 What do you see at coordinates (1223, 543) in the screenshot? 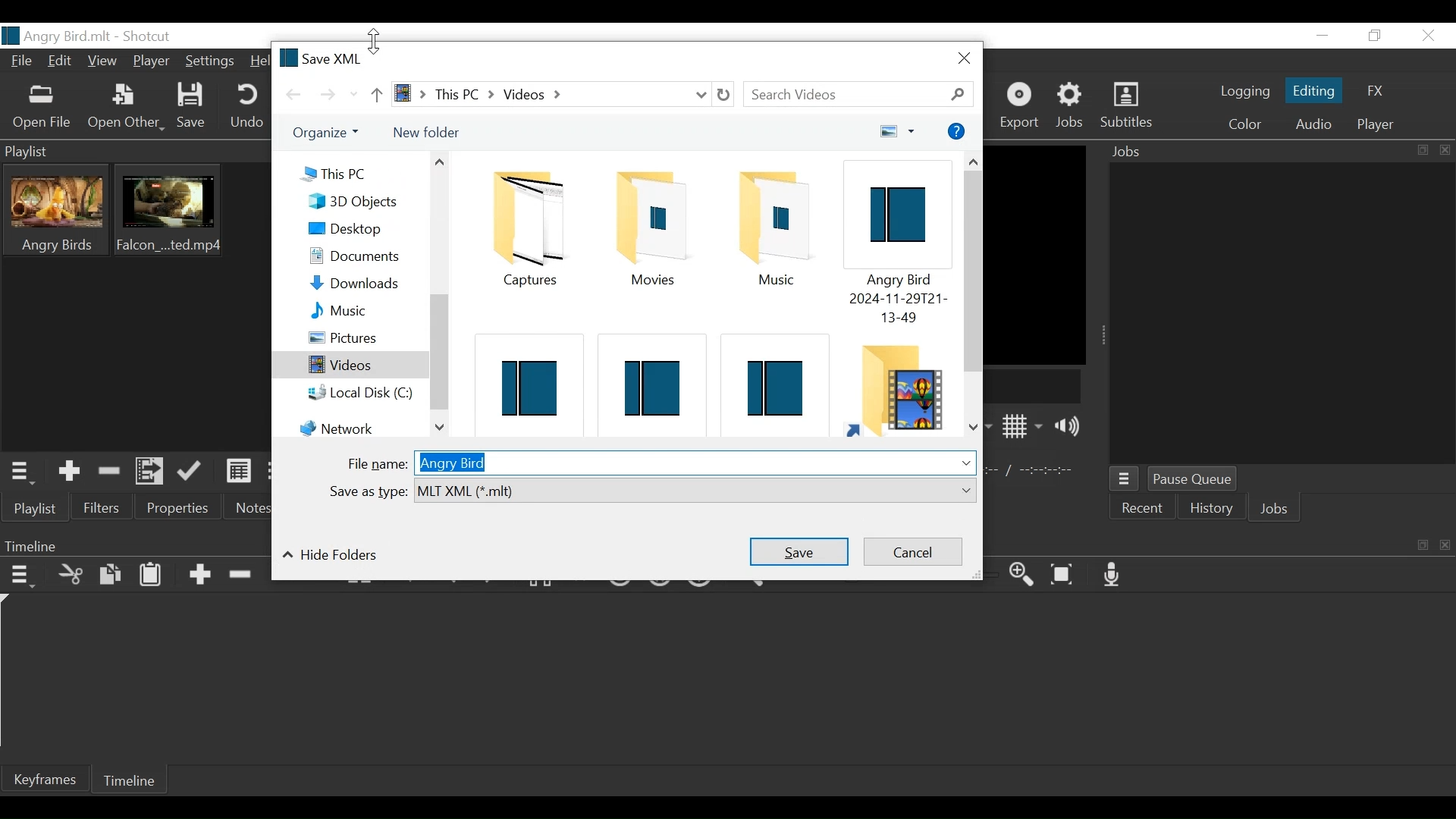
I see `Timeline Panel` at bounding box center [1223, 543].